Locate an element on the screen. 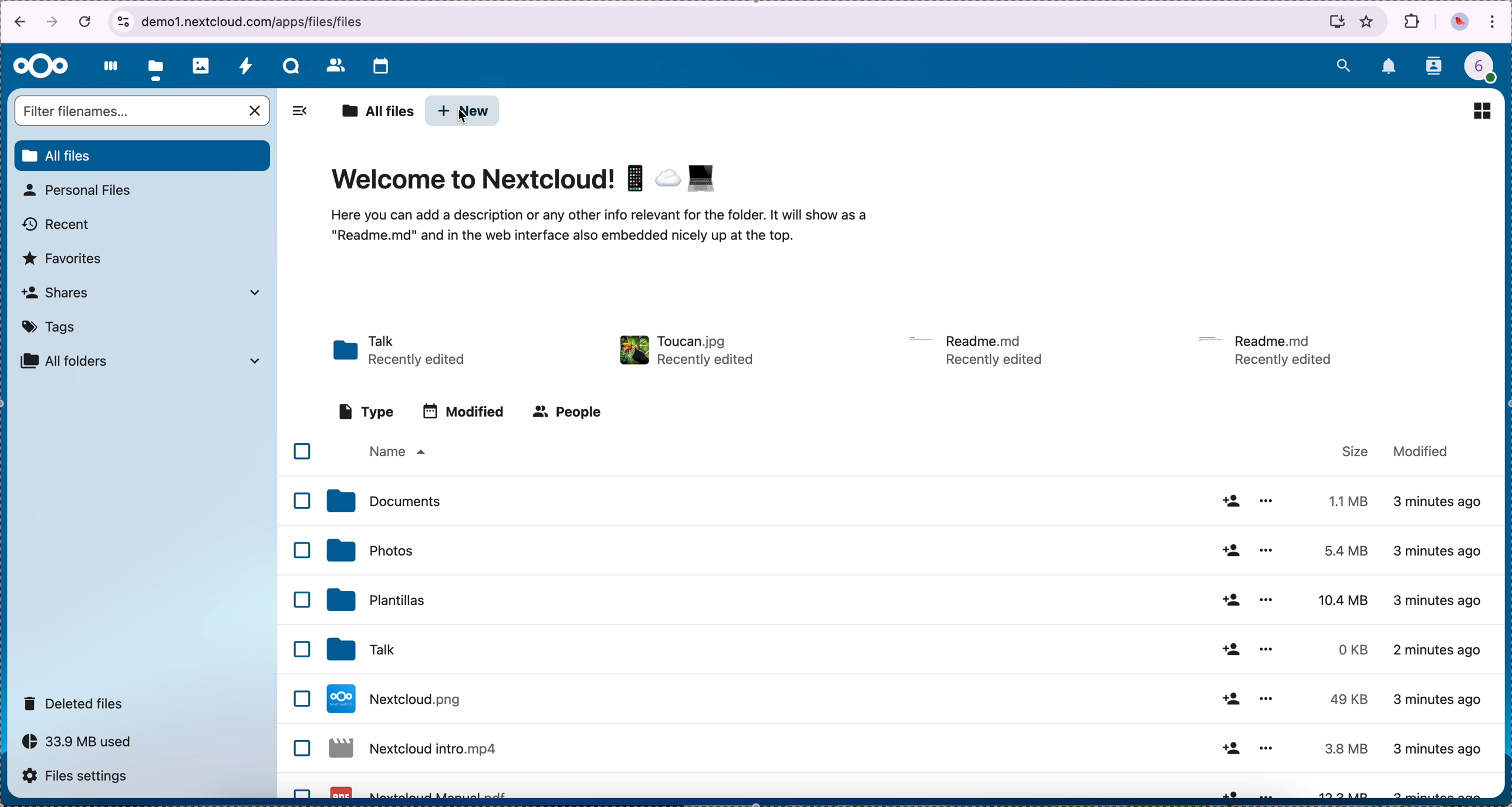  more options is located at coordinates (1271, 792).